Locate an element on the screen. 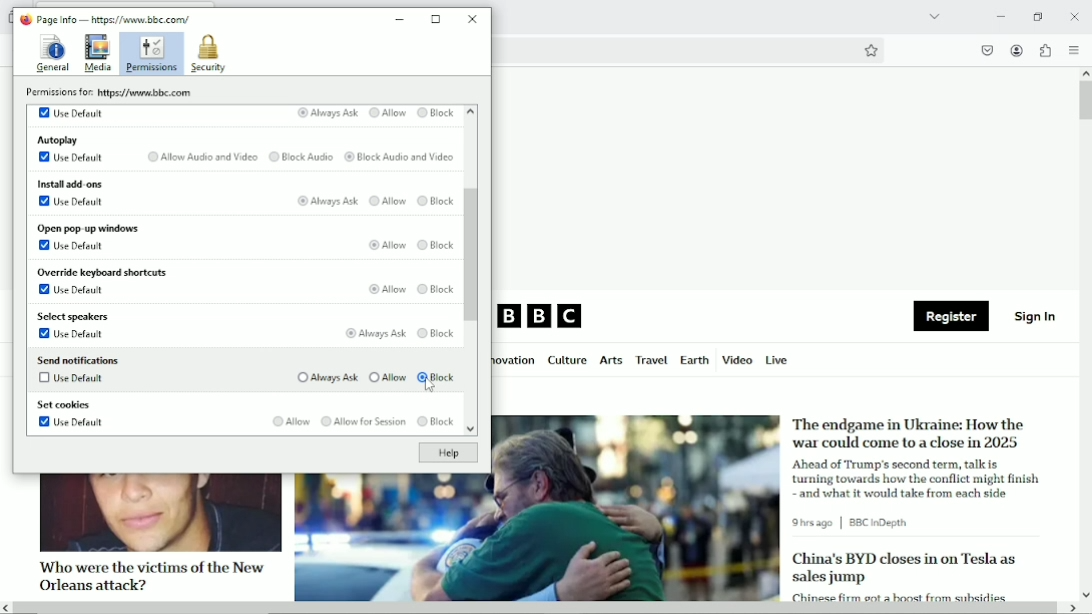 The height and width of the screenshot is (614, 1092). Use default is located at coordinates (73, 201).